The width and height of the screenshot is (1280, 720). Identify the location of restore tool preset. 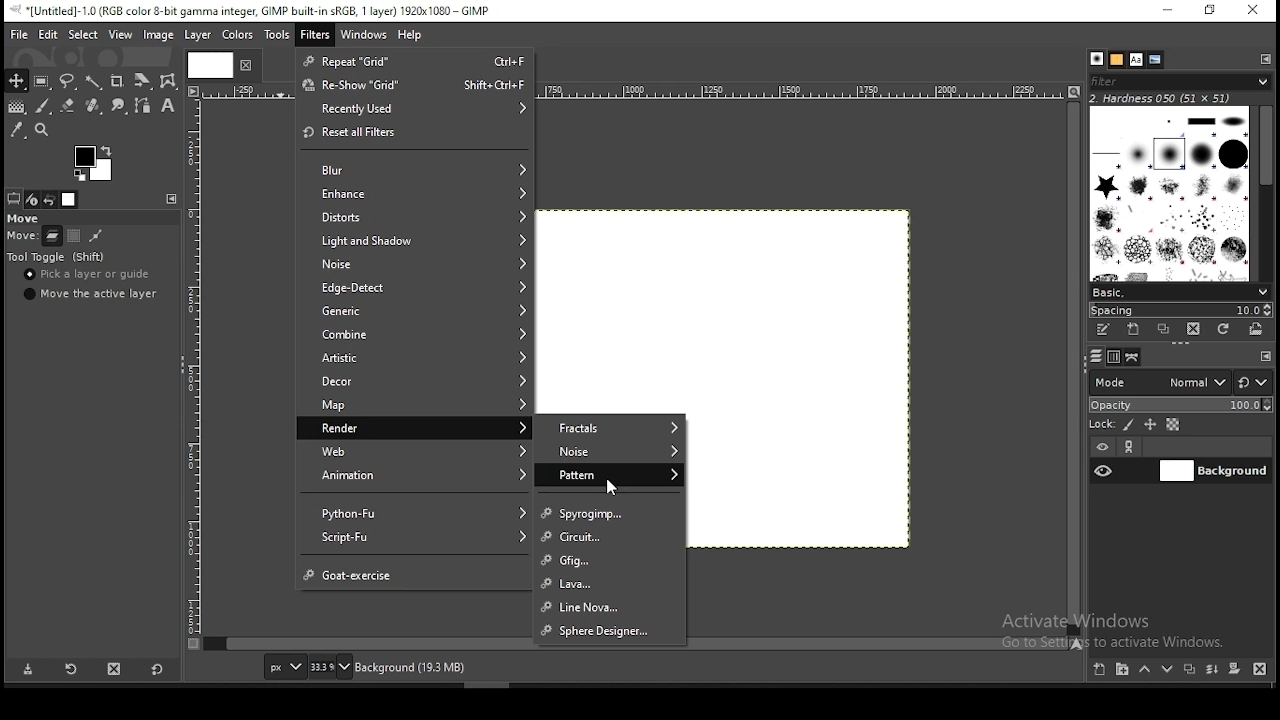
(75, 668).